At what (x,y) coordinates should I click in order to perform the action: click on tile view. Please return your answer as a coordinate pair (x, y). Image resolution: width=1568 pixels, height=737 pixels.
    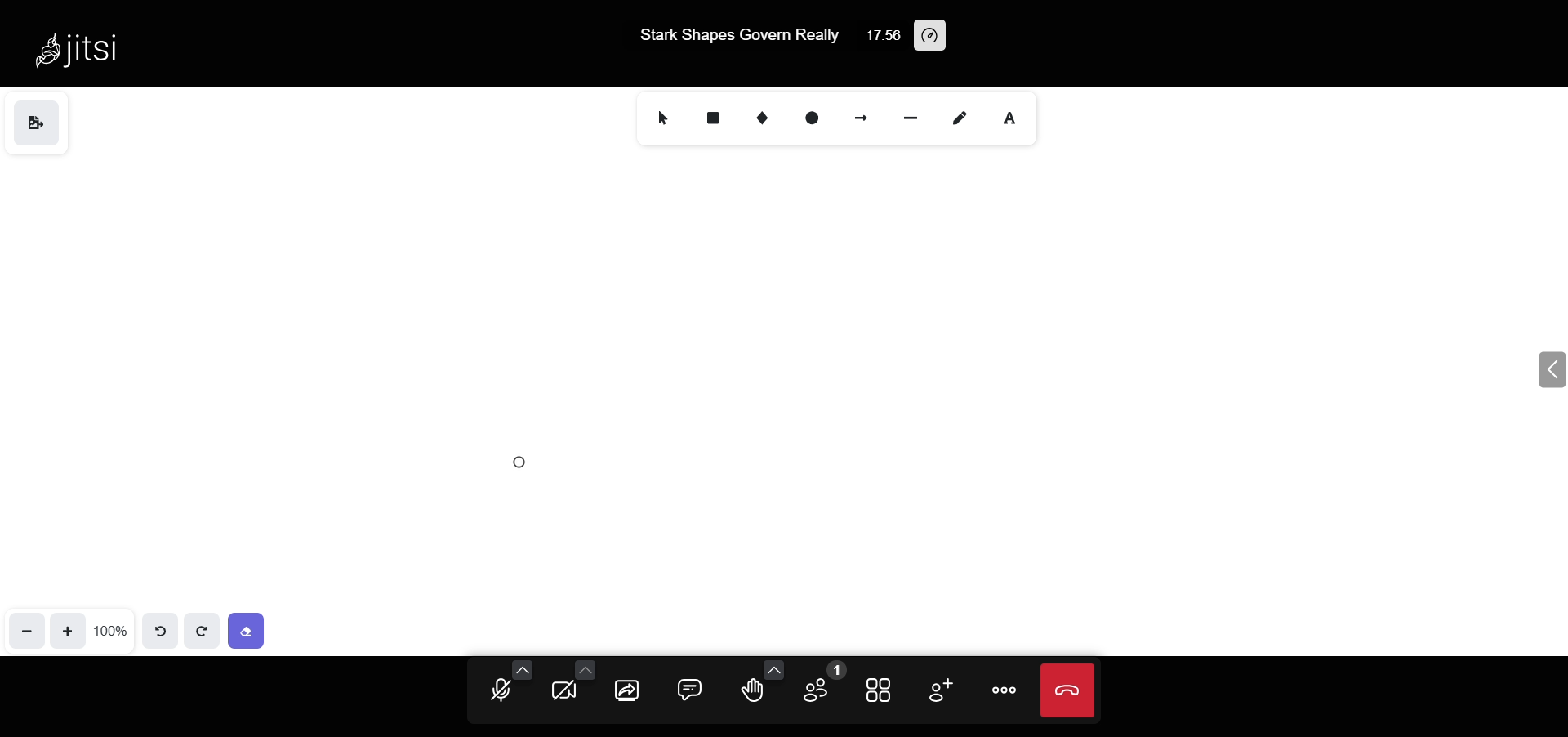
    Looking at the image, I should click on (878, 687).